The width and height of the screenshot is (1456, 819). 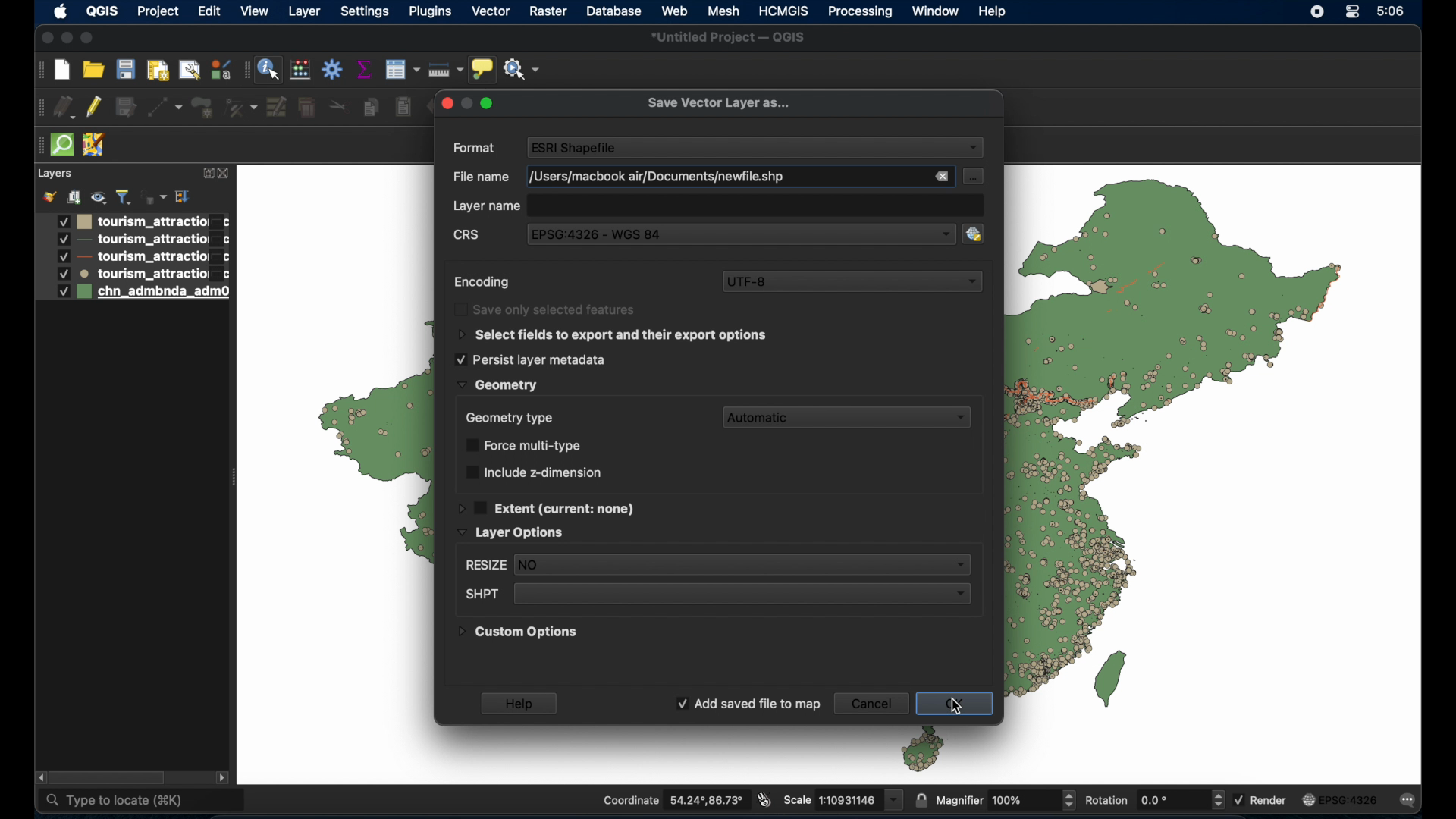 I want to click on resize dropdown, so click(x=715, y=566).